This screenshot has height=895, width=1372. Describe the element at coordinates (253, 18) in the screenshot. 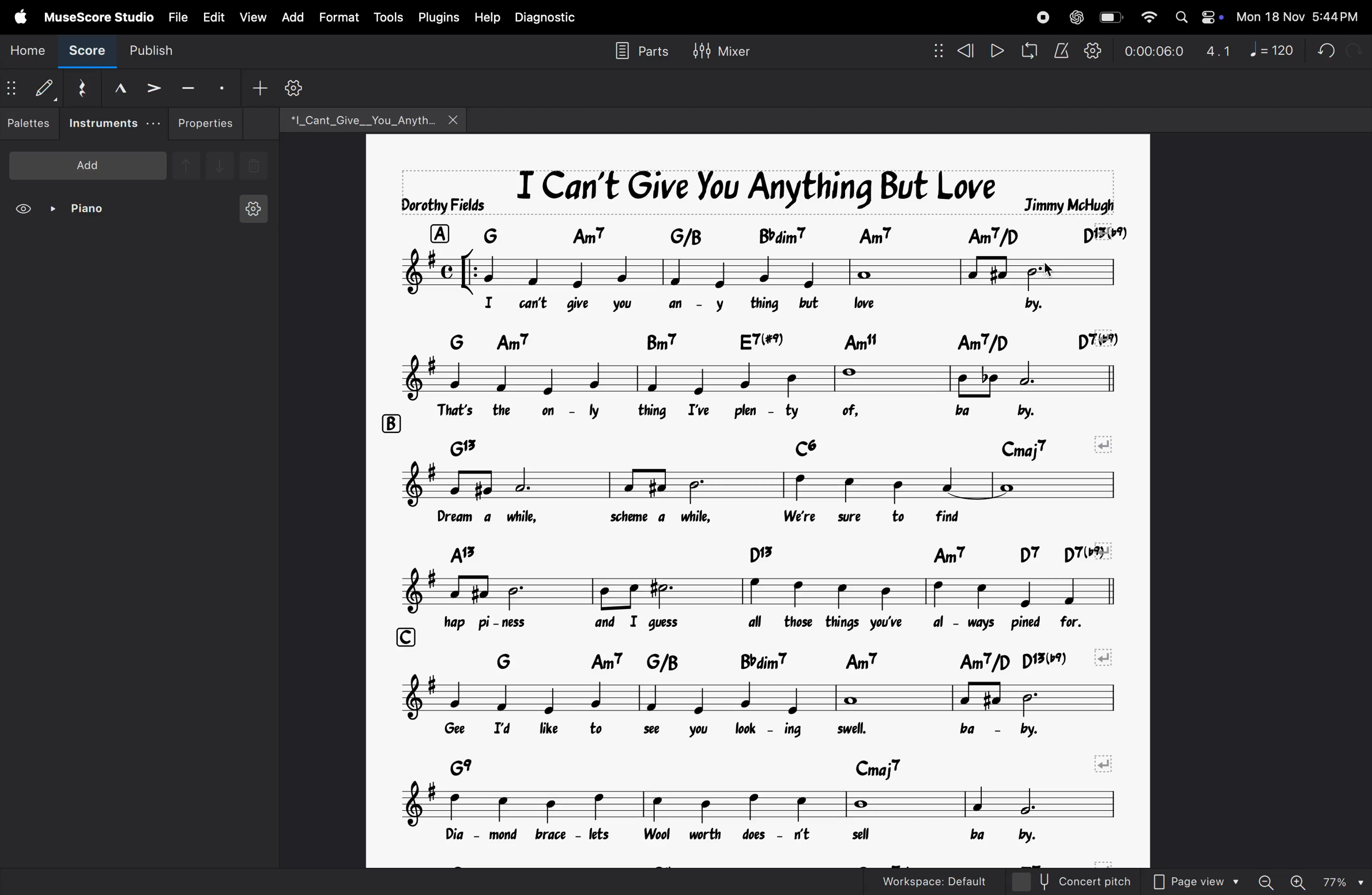

I see `view` at that location.